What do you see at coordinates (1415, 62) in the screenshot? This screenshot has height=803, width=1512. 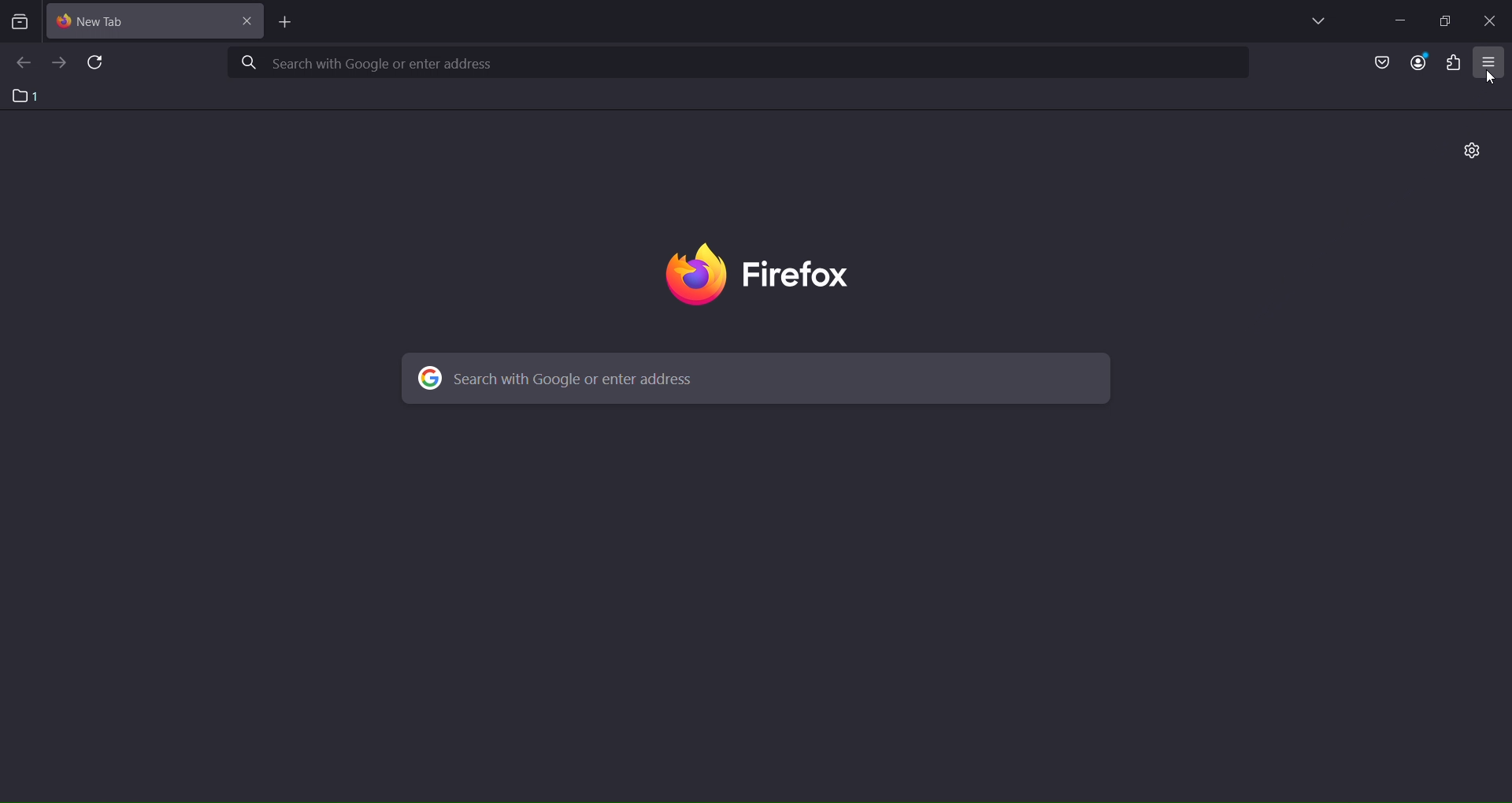 I see `account` at bounding box center [1415, 62].